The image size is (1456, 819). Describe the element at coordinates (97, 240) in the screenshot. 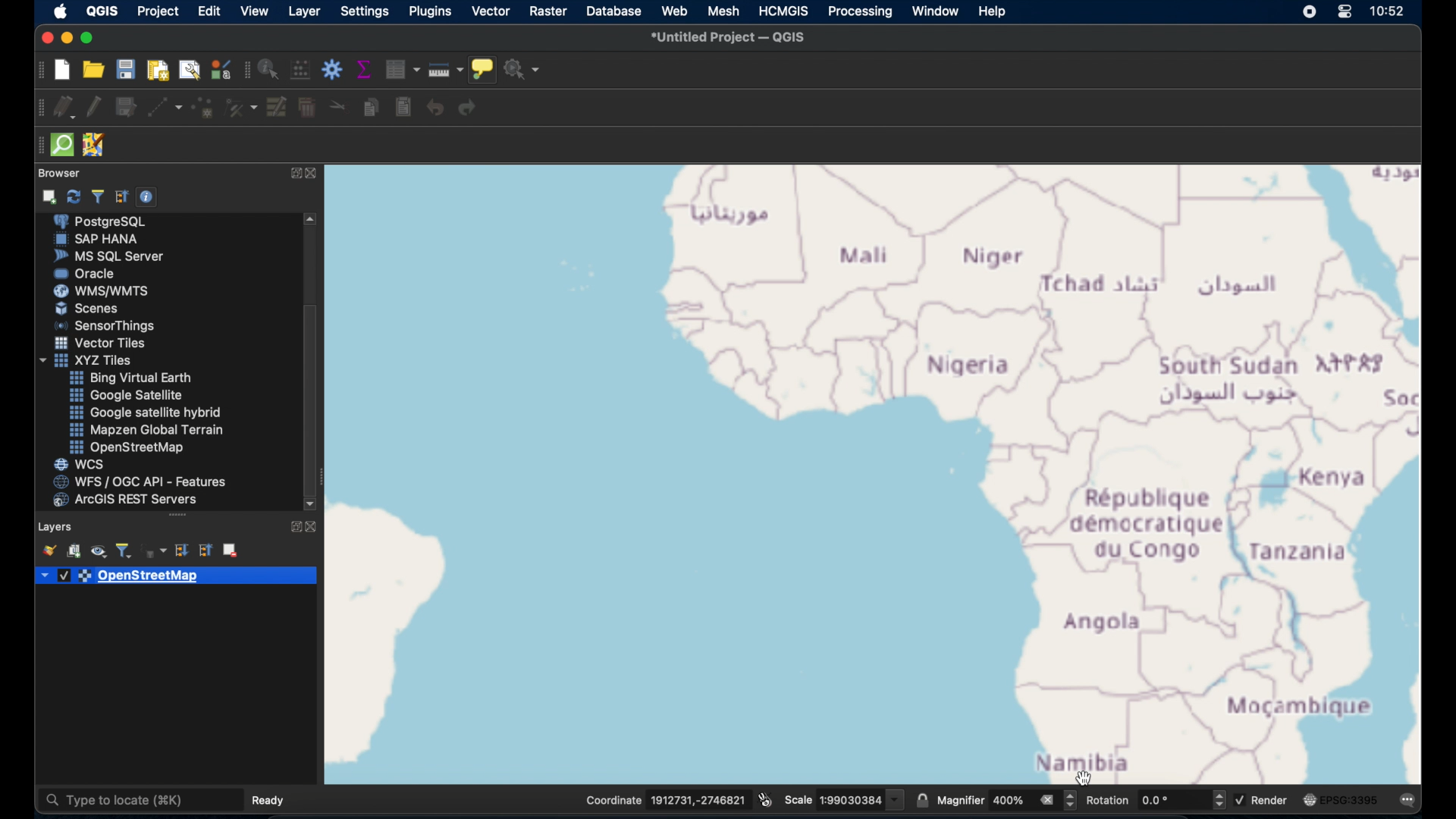

I see `sap hana` at that location.